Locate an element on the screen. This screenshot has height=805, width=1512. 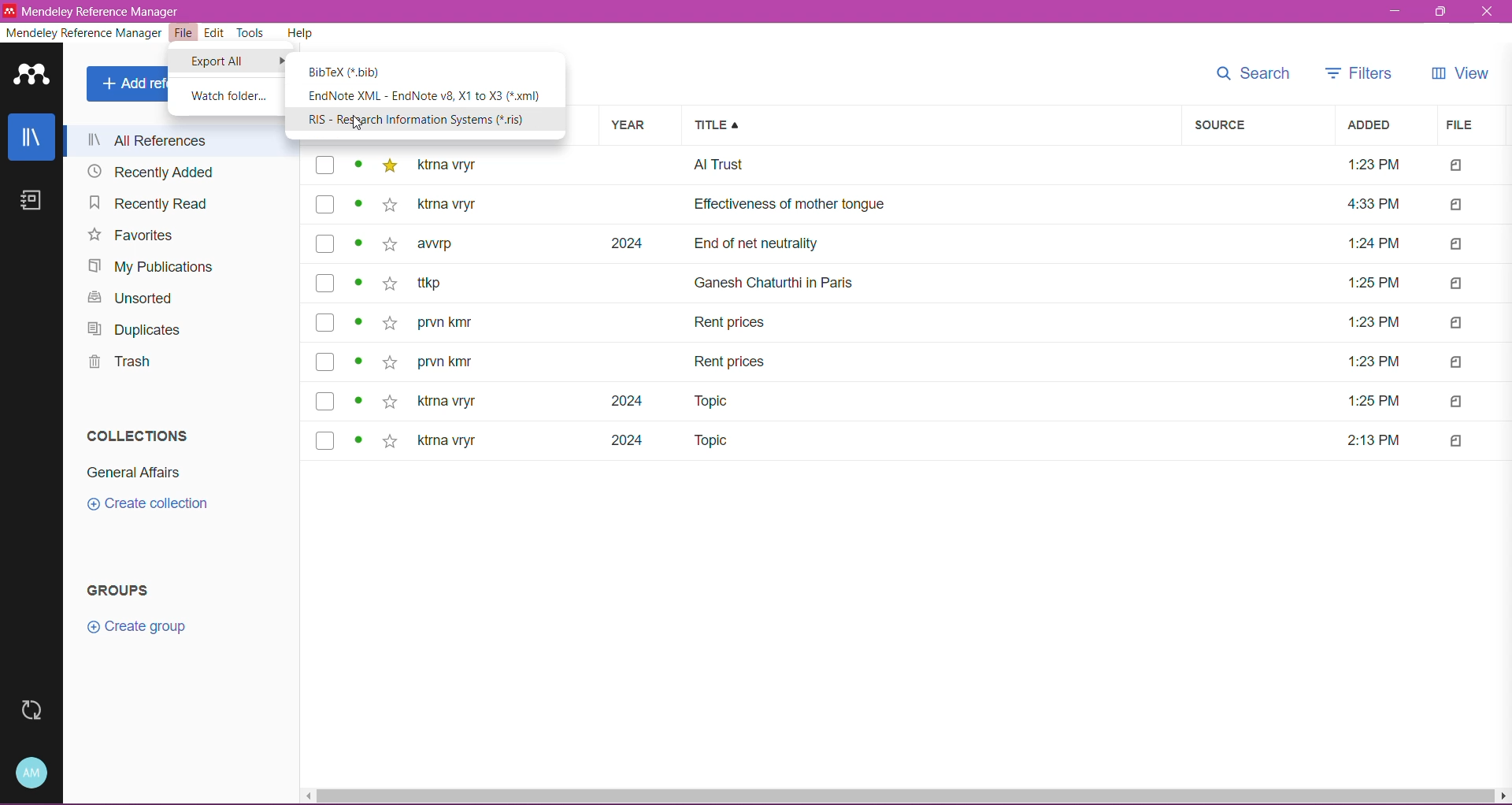
Help is located at coordinates (304, 34).